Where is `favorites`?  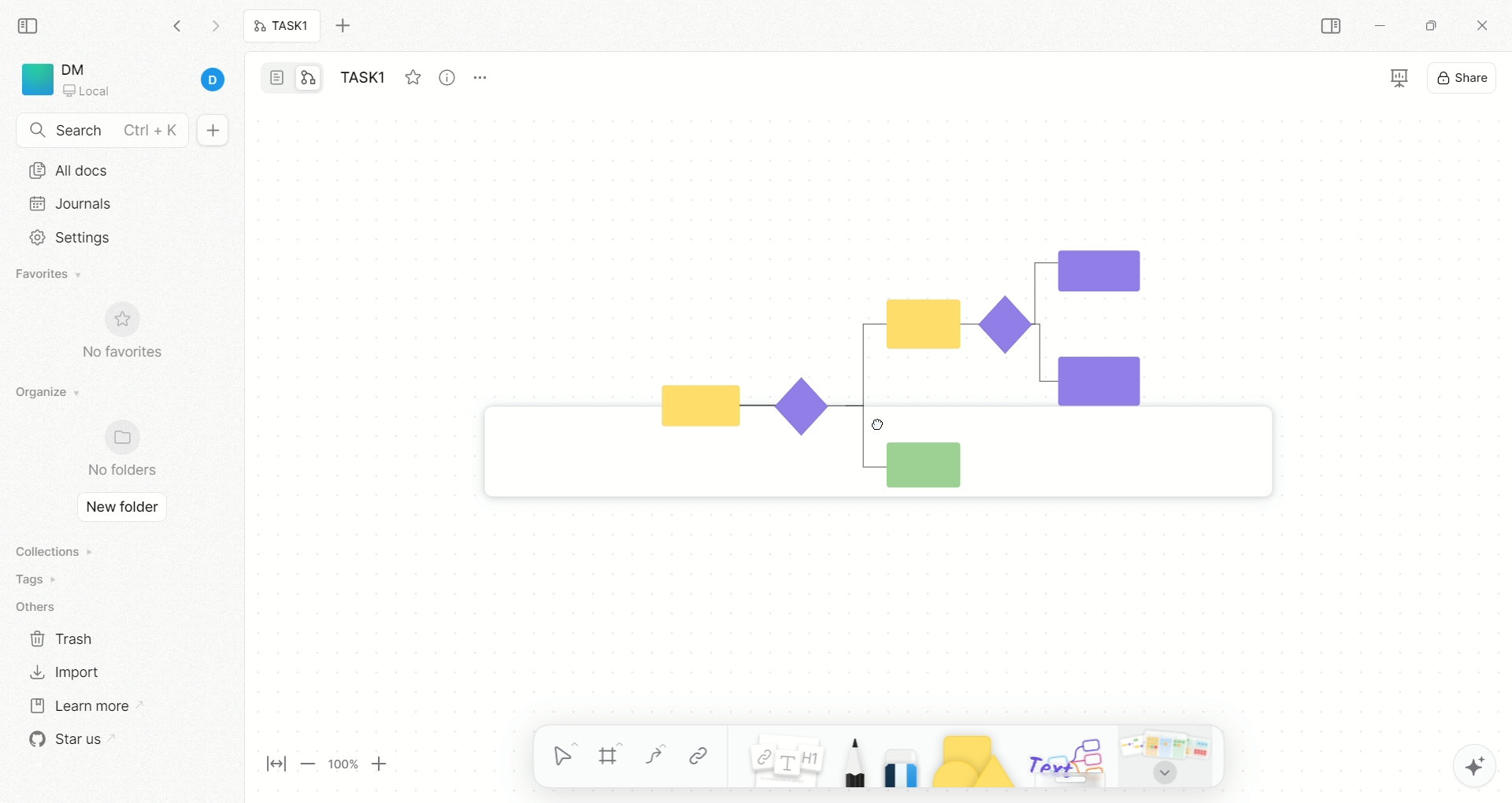 favorites is located at coordinates (412, 75).